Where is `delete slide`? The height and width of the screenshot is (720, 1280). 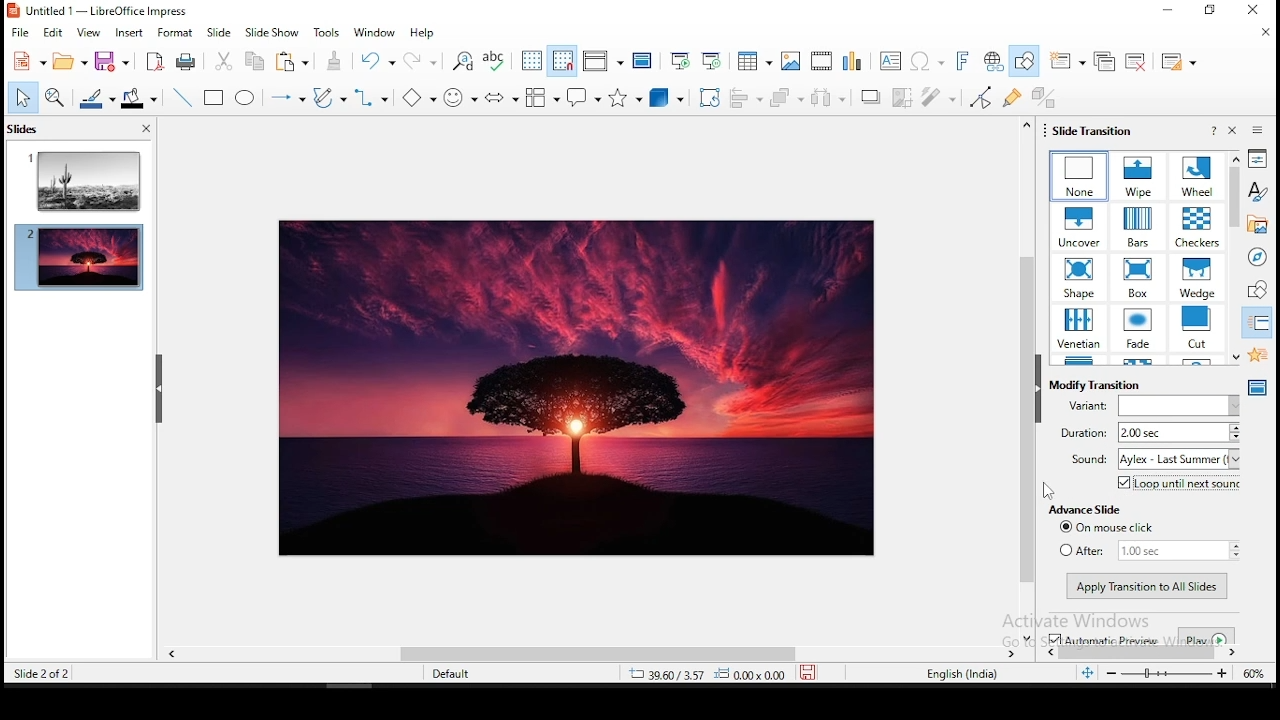 delete slide is located at coordinates (1140, 58).